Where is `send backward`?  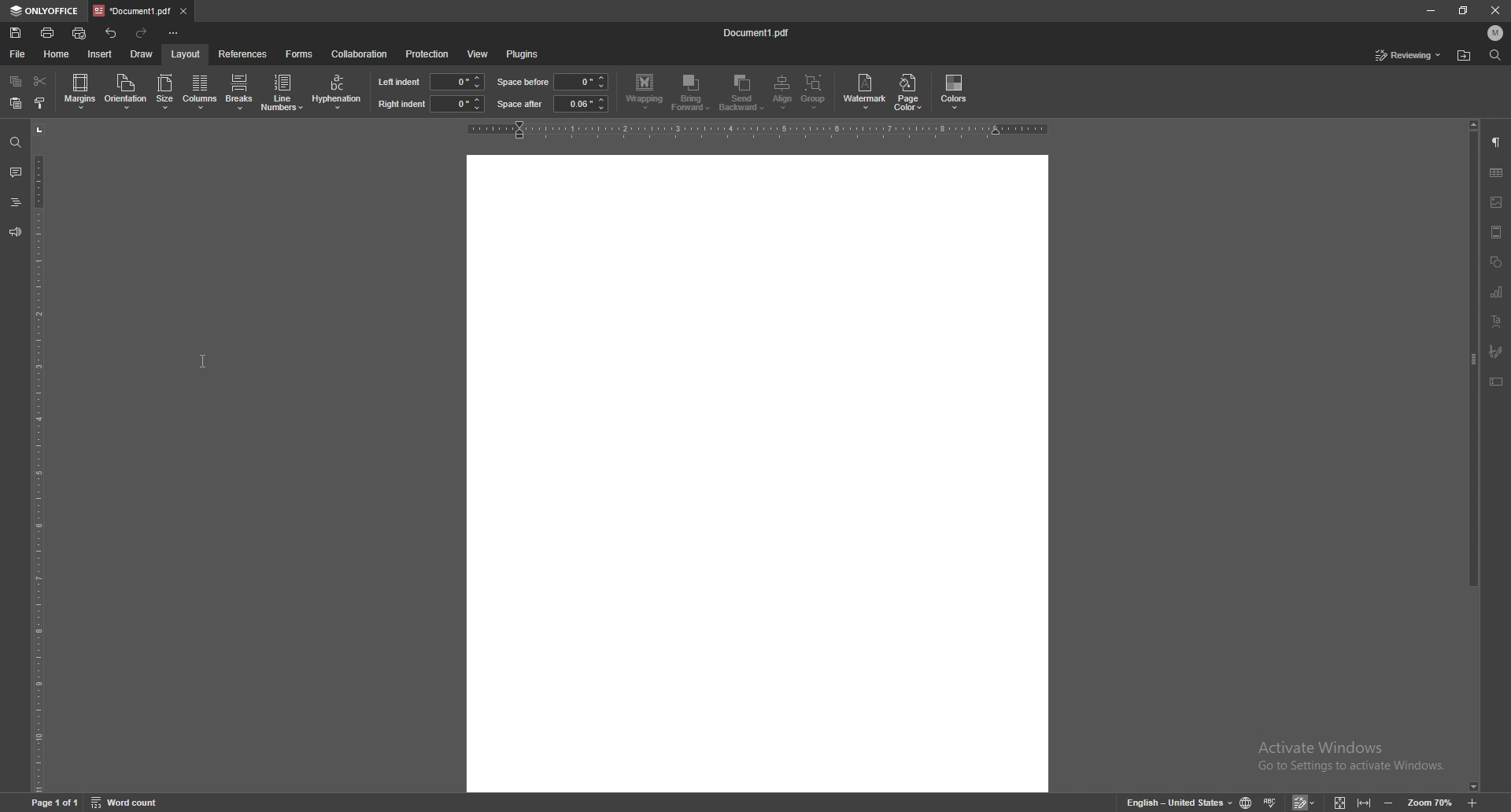
send backward is located at coordinates (744, 94).